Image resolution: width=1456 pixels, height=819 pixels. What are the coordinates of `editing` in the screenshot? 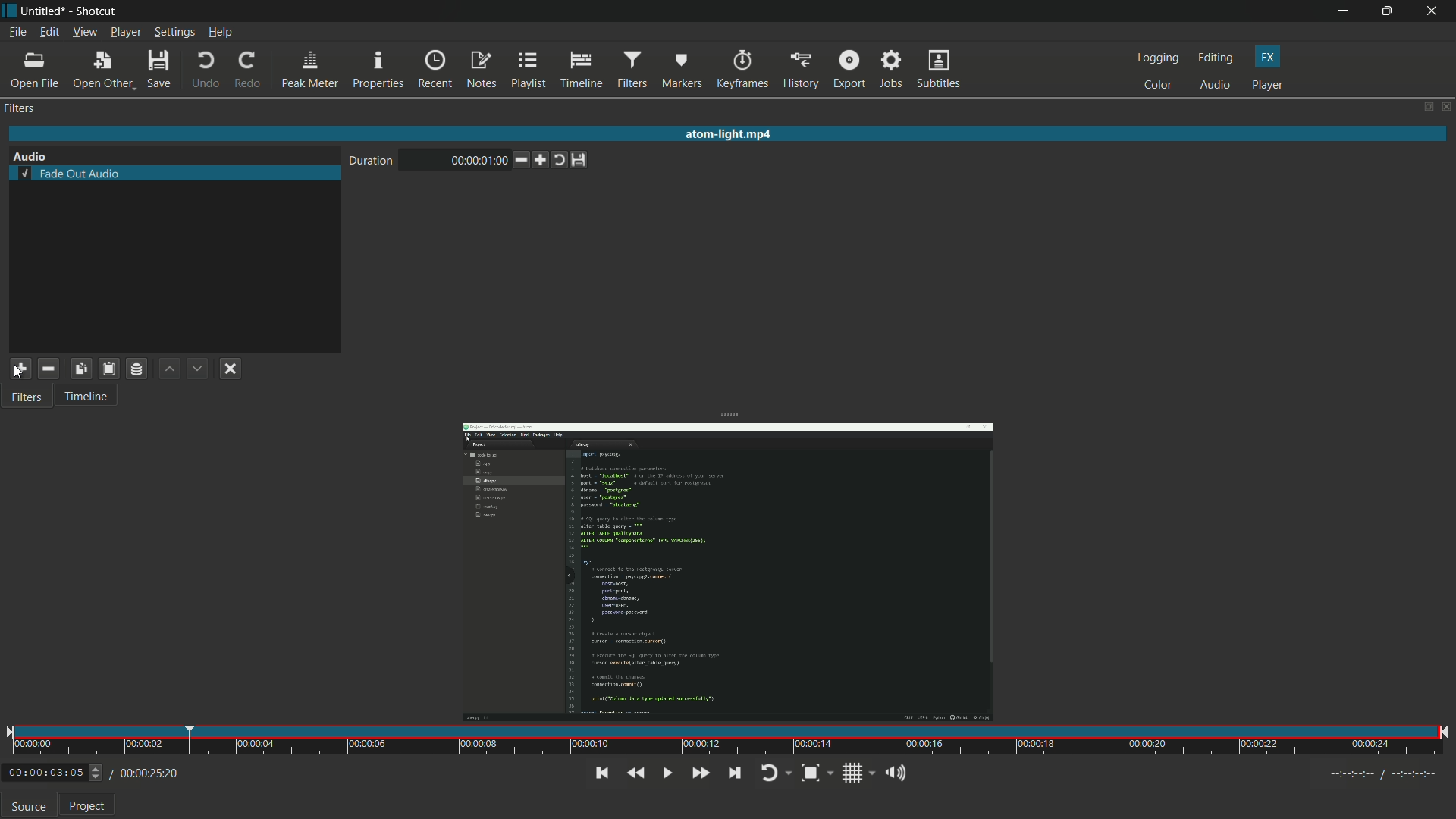 It's located at (1216, 58).